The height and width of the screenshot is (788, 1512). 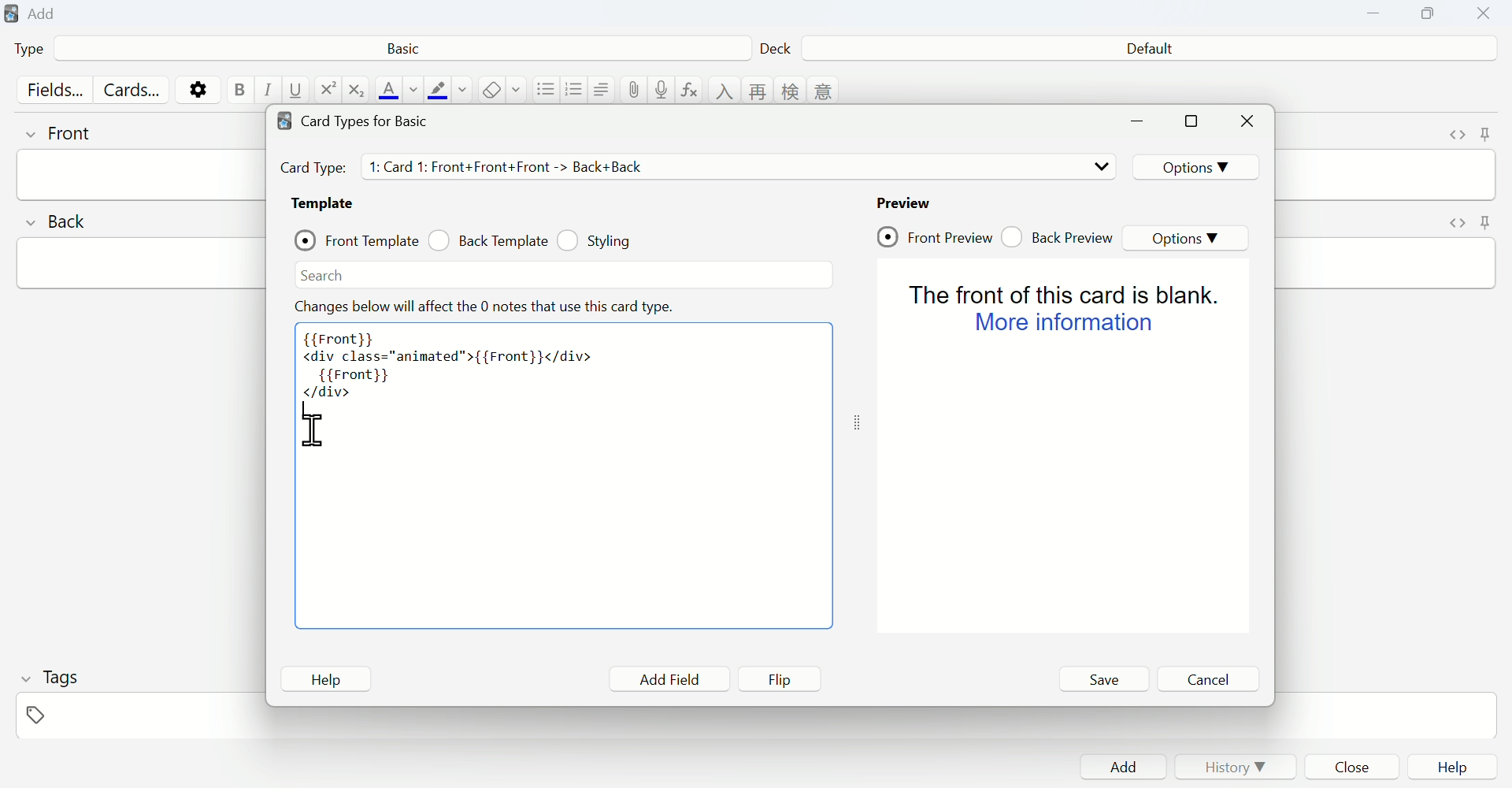 I want to click on Template, so click(x=327, y=204).